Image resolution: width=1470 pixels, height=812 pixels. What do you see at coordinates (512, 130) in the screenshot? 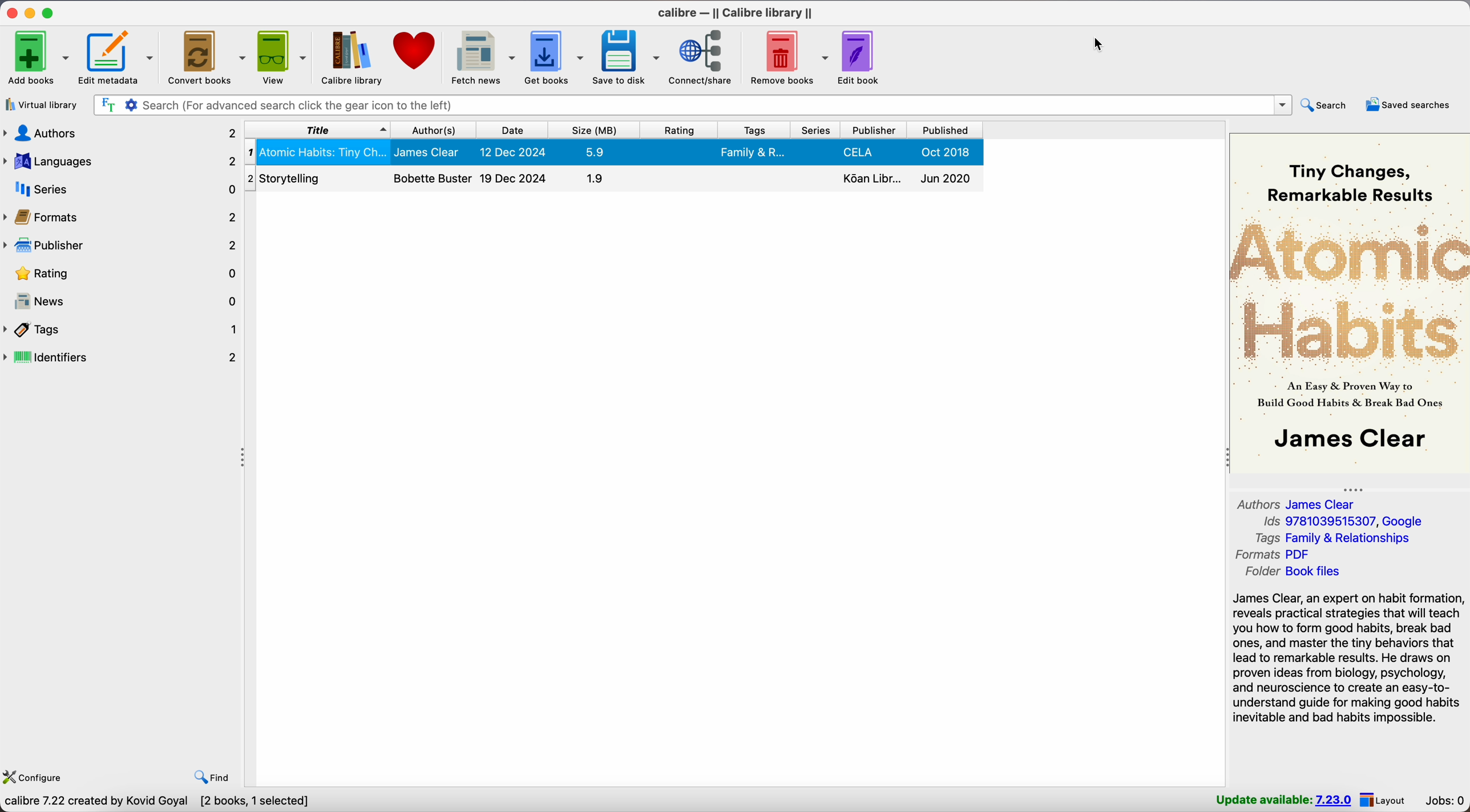
I see `date` at bounding box center [512, 130].